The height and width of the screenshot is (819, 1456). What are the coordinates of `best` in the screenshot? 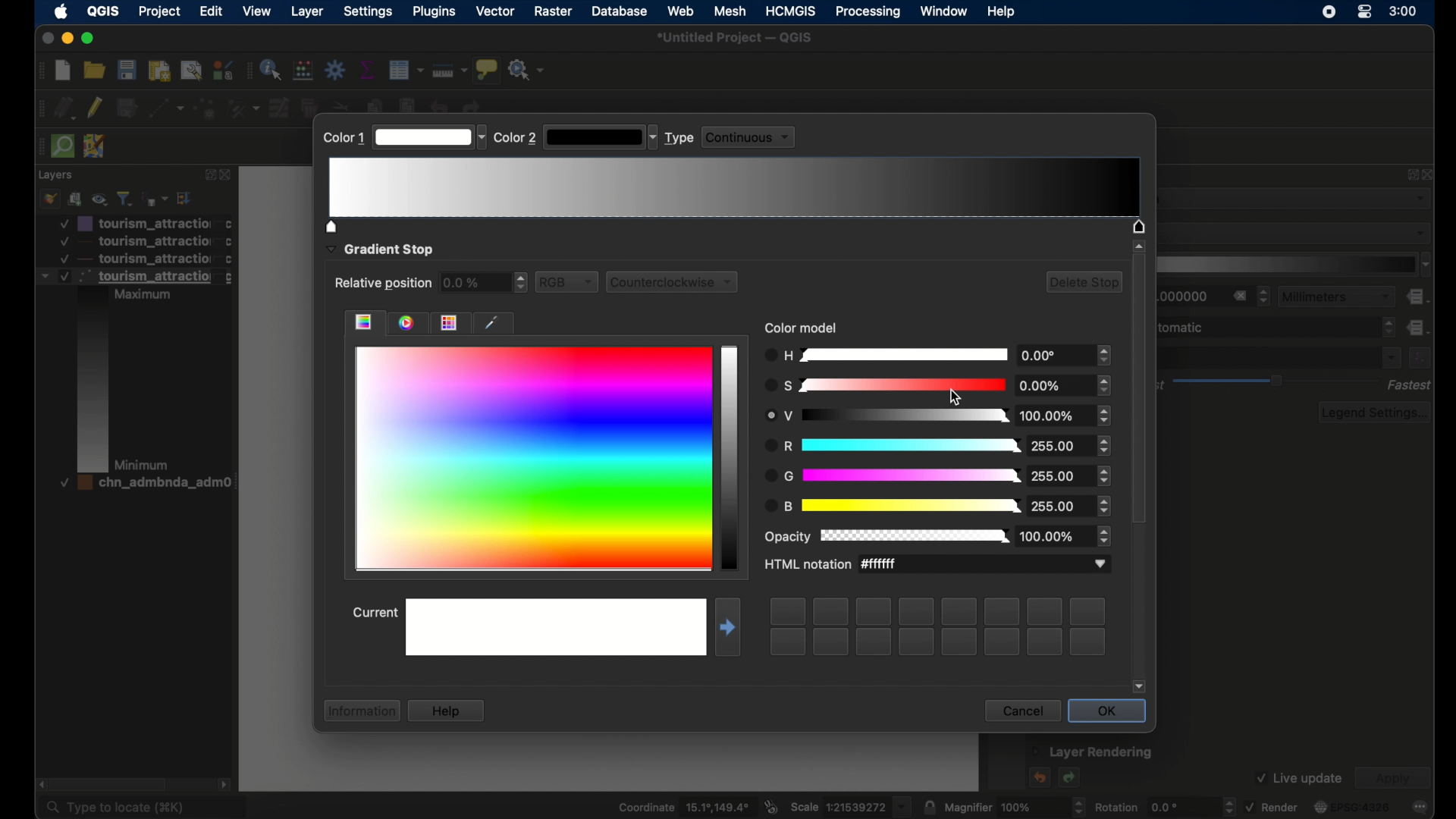 It's located at (1163, 387).